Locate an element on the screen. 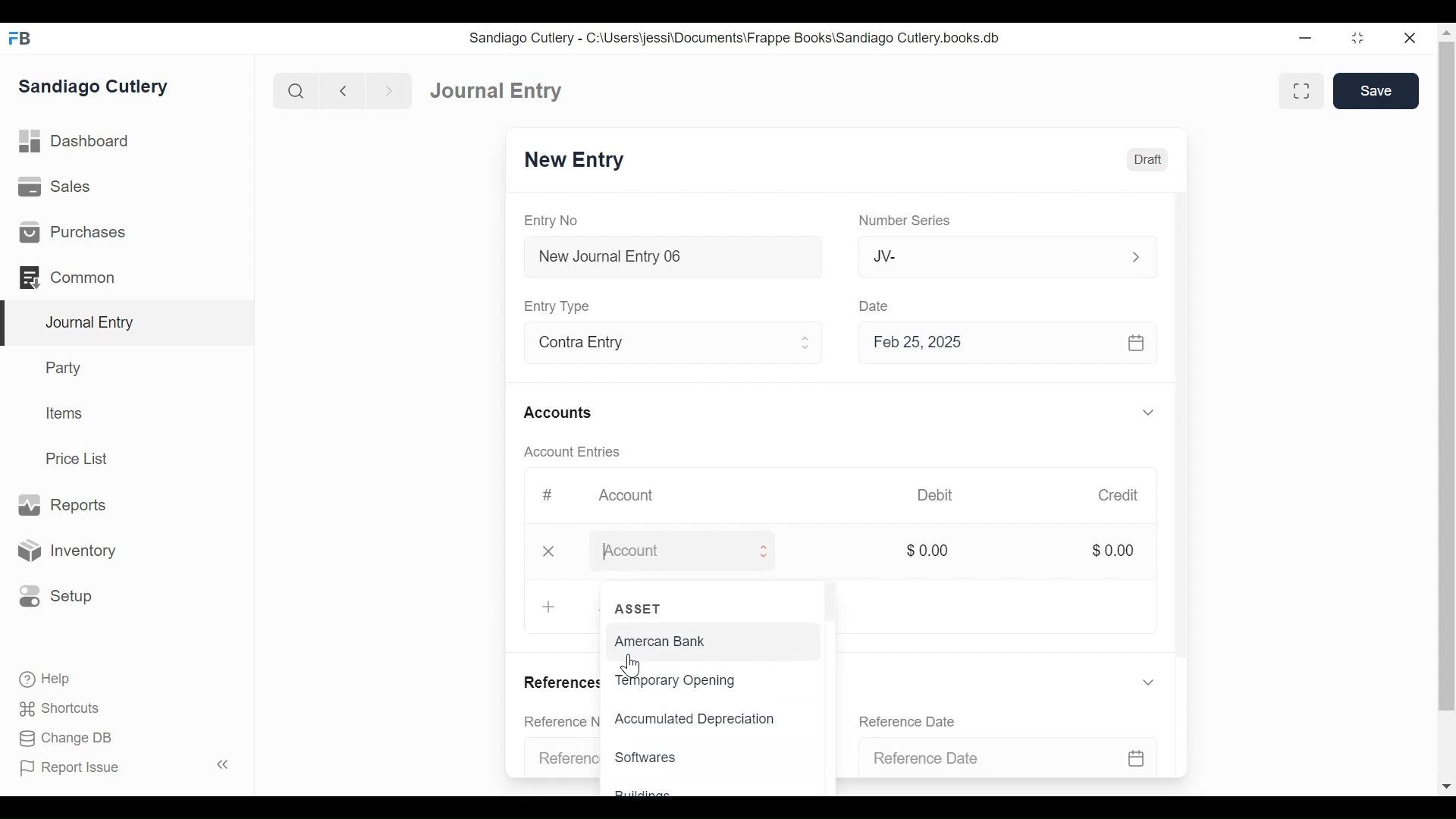  Expand is located at coordinates (769, 551).